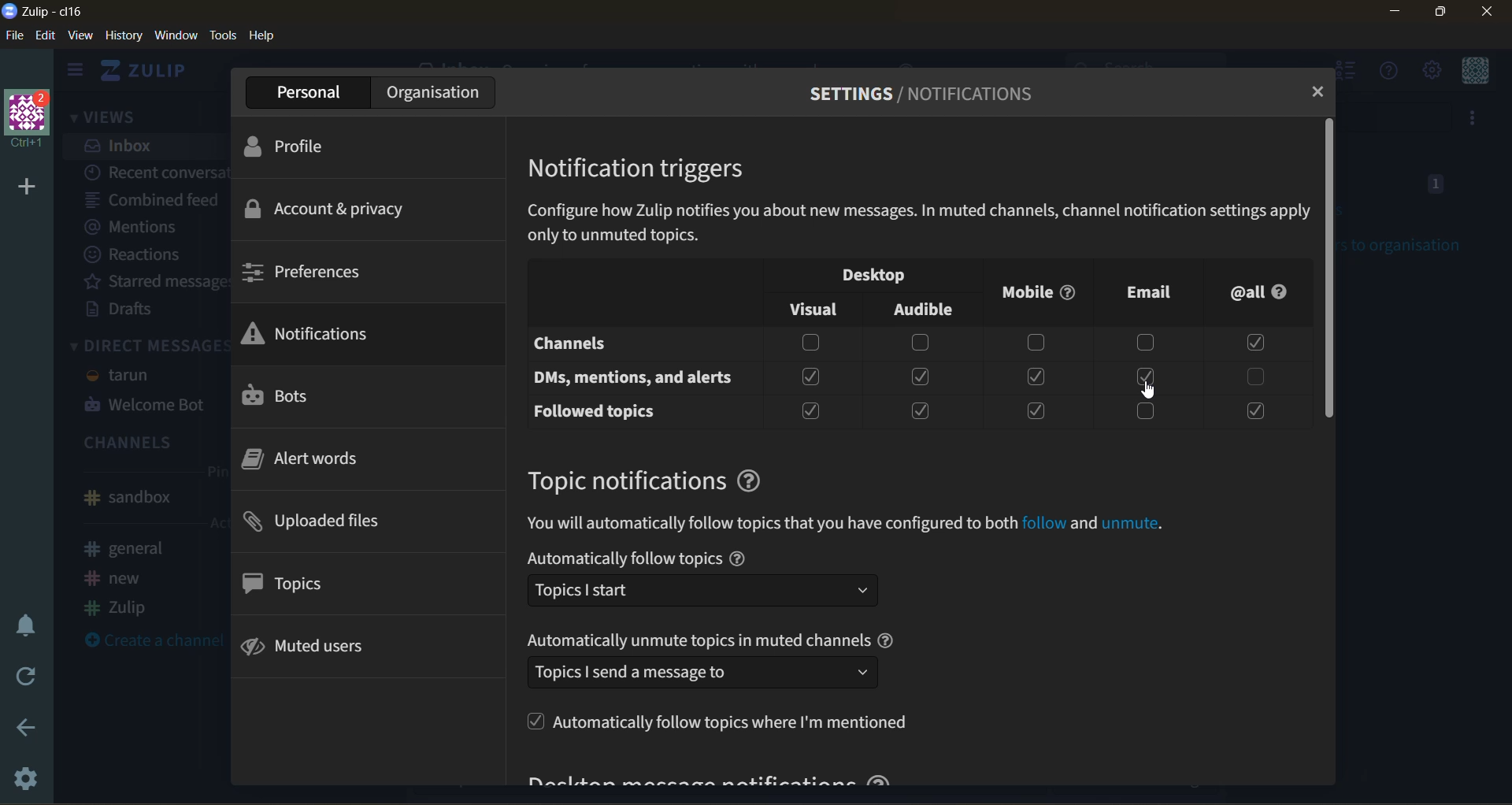 Image resolution: width=1512 pixels, height=805 pixels. Describe the element at coordinates (25, 677) in the screenshot. I see `reload` at that location.